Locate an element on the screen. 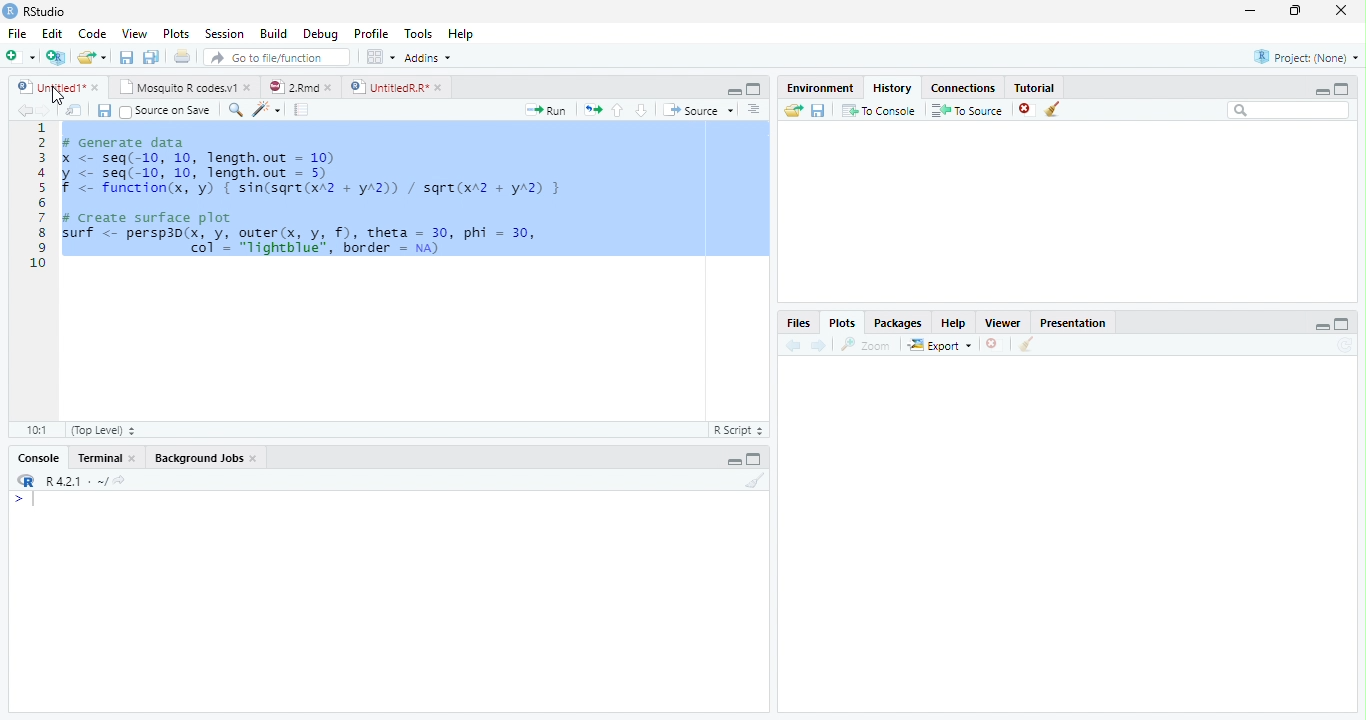 The width and height of the screenshot is (1366, 720). Create a project is located at coordinates (54, 57).